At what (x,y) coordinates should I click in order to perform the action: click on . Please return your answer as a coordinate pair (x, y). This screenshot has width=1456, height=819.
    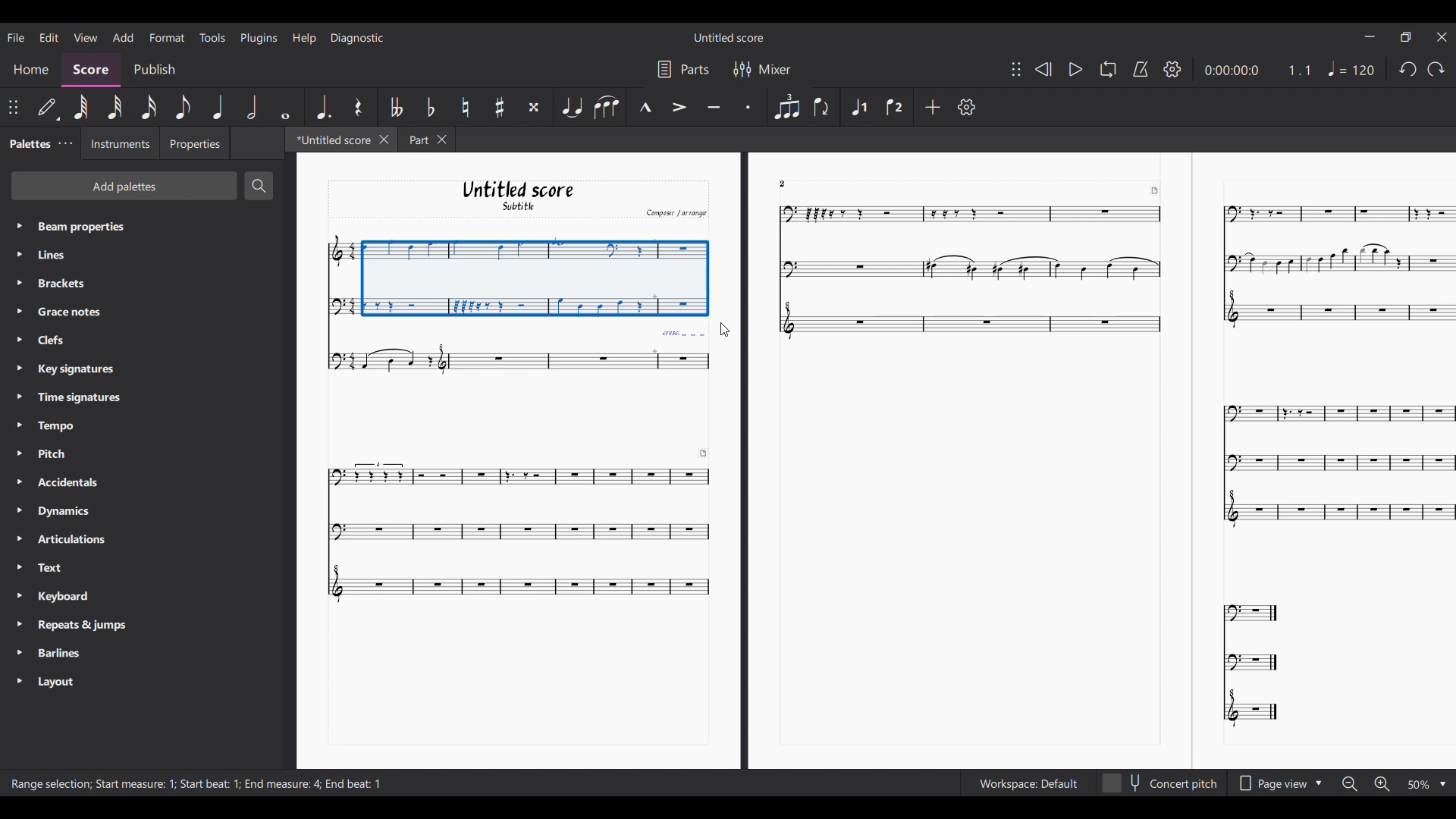
    Looking at the image, I should click on (973, 215).